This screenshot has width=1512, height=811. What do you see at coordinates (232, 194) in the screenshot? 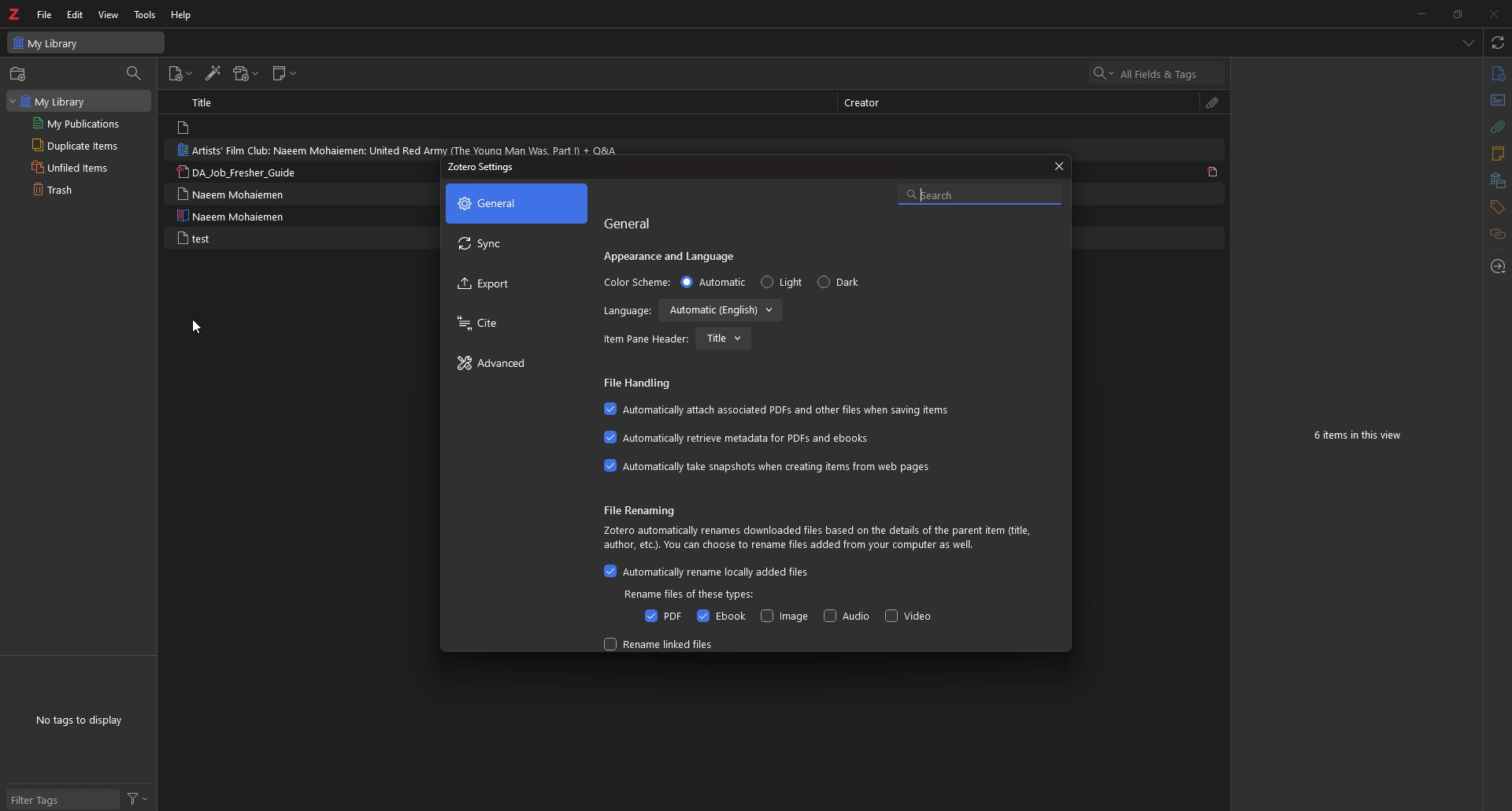
I see `Naeem Mohaiemen` at bounding box center [232, 194].